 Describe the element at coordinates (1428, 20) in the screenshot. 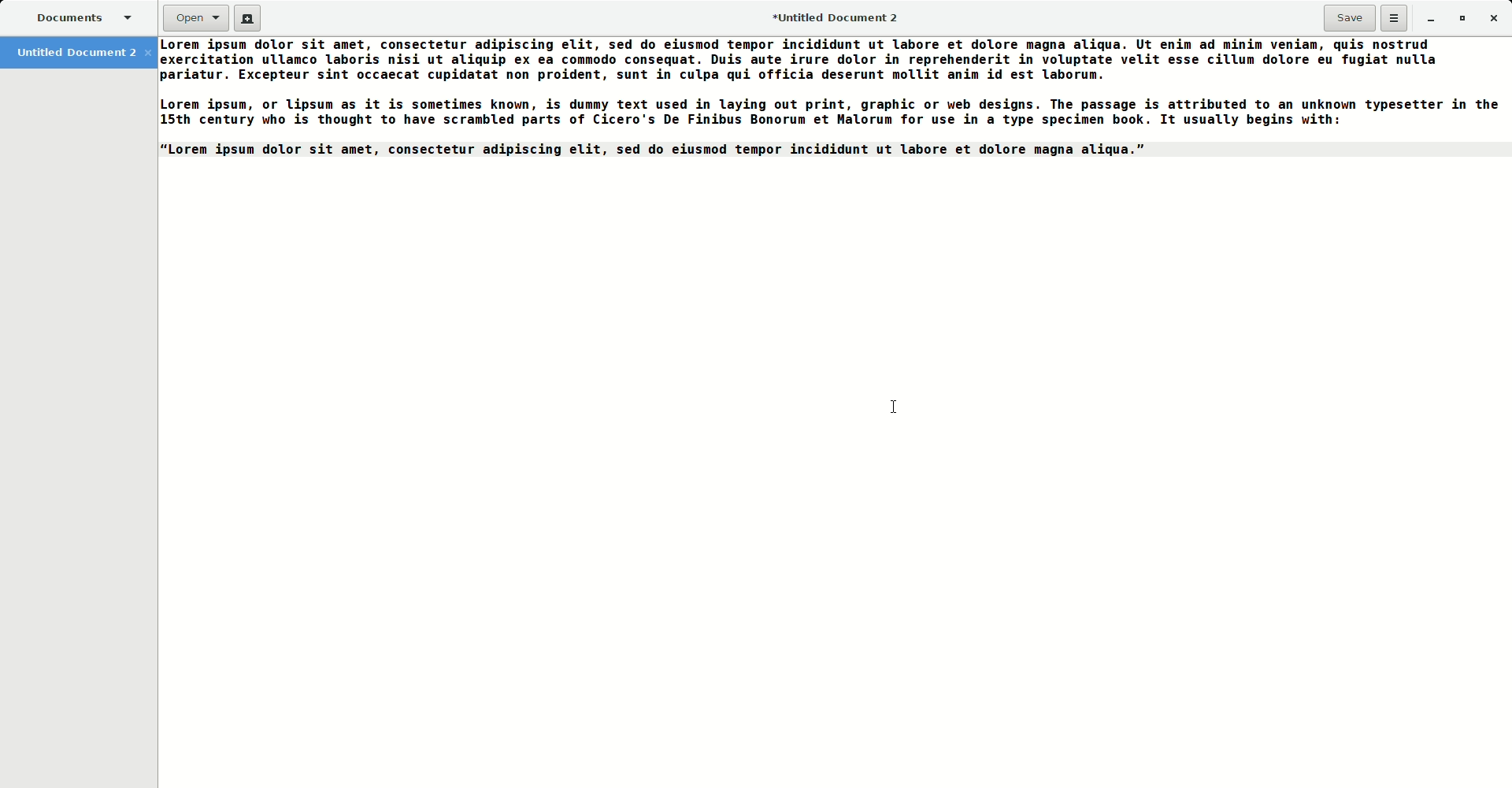

I see `Minimize` at that location.